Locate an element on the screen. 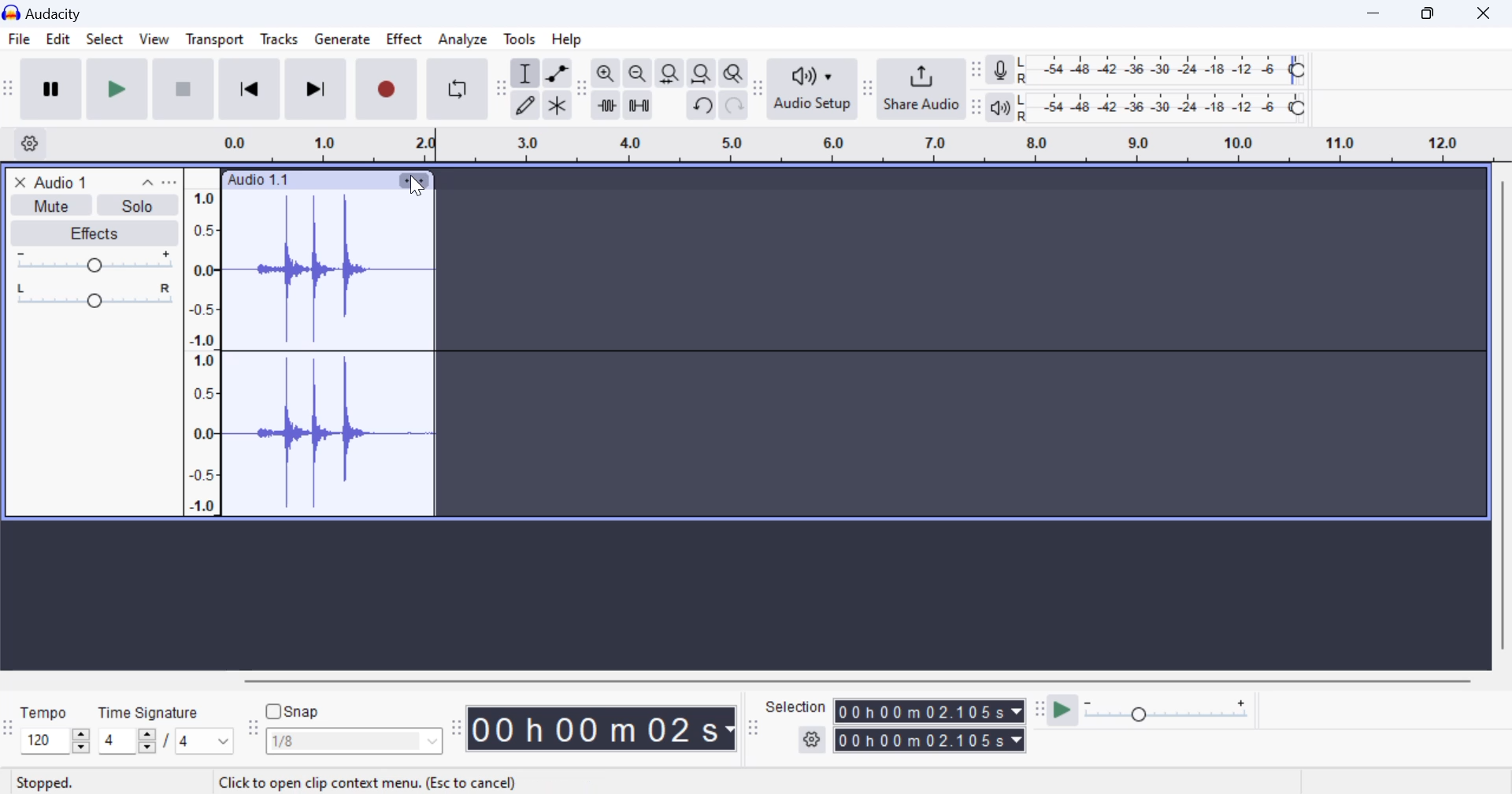 This screenshot has width=1512, height=794. Scale to measure intensity of waves in track is located at coordinates (201, 349).